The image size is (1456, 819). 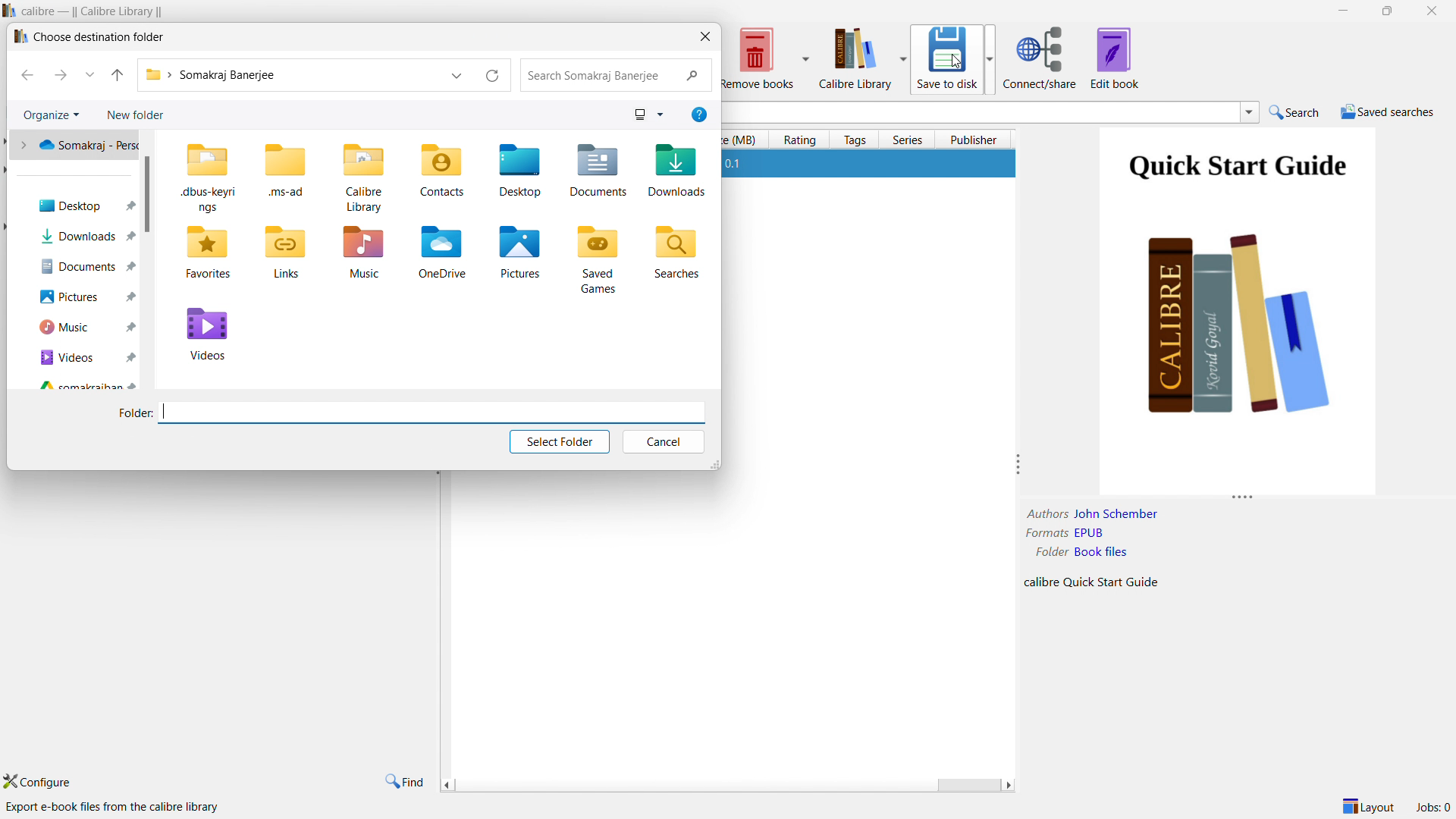 What do you see at coordinates (1014, 465) in the screenshot?
I see `resize` at bounding box center [1014, 465].